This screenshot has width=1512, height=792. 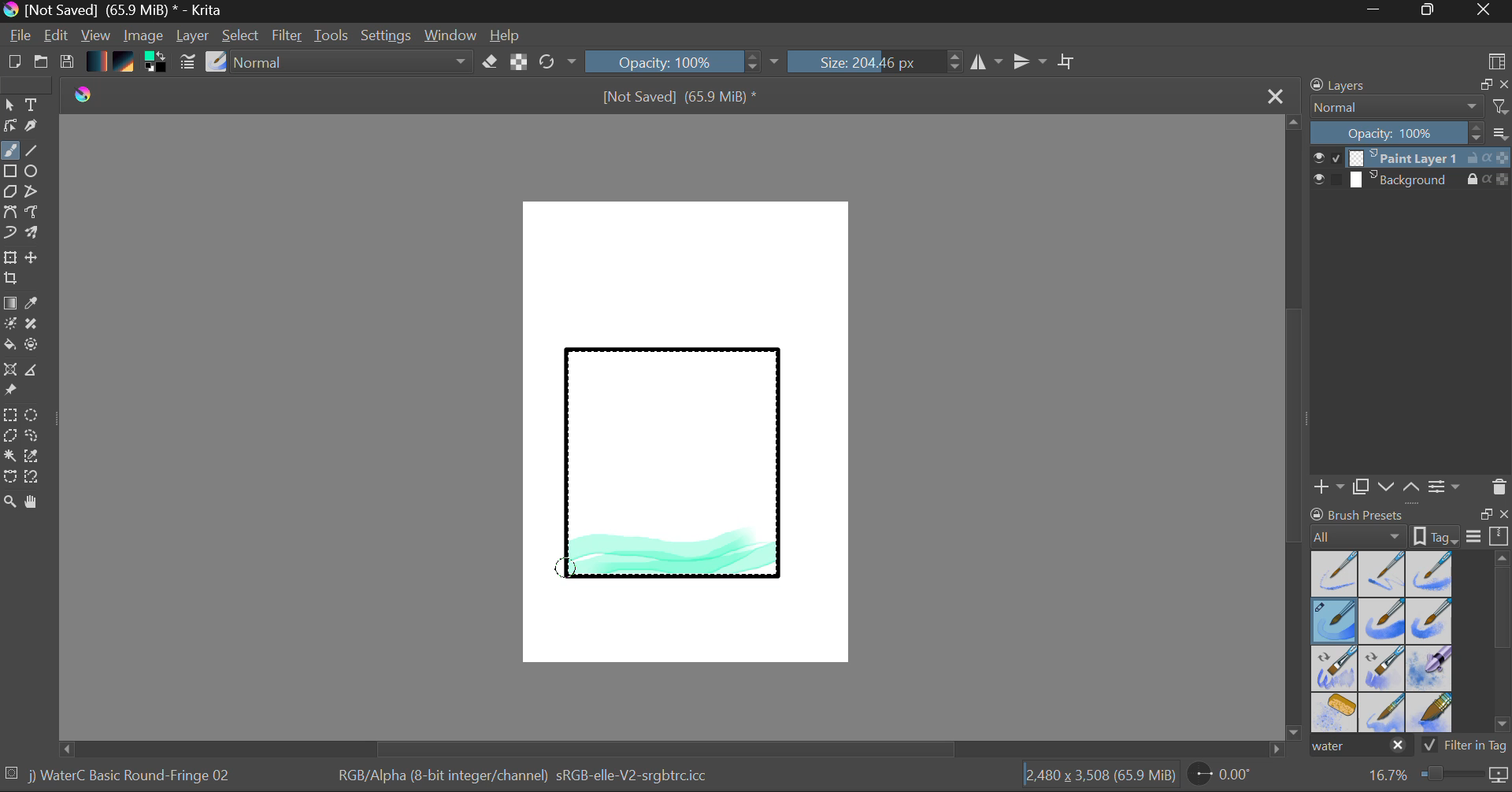 I want to click on Document Dimensions, so click(x=1099, y=778).